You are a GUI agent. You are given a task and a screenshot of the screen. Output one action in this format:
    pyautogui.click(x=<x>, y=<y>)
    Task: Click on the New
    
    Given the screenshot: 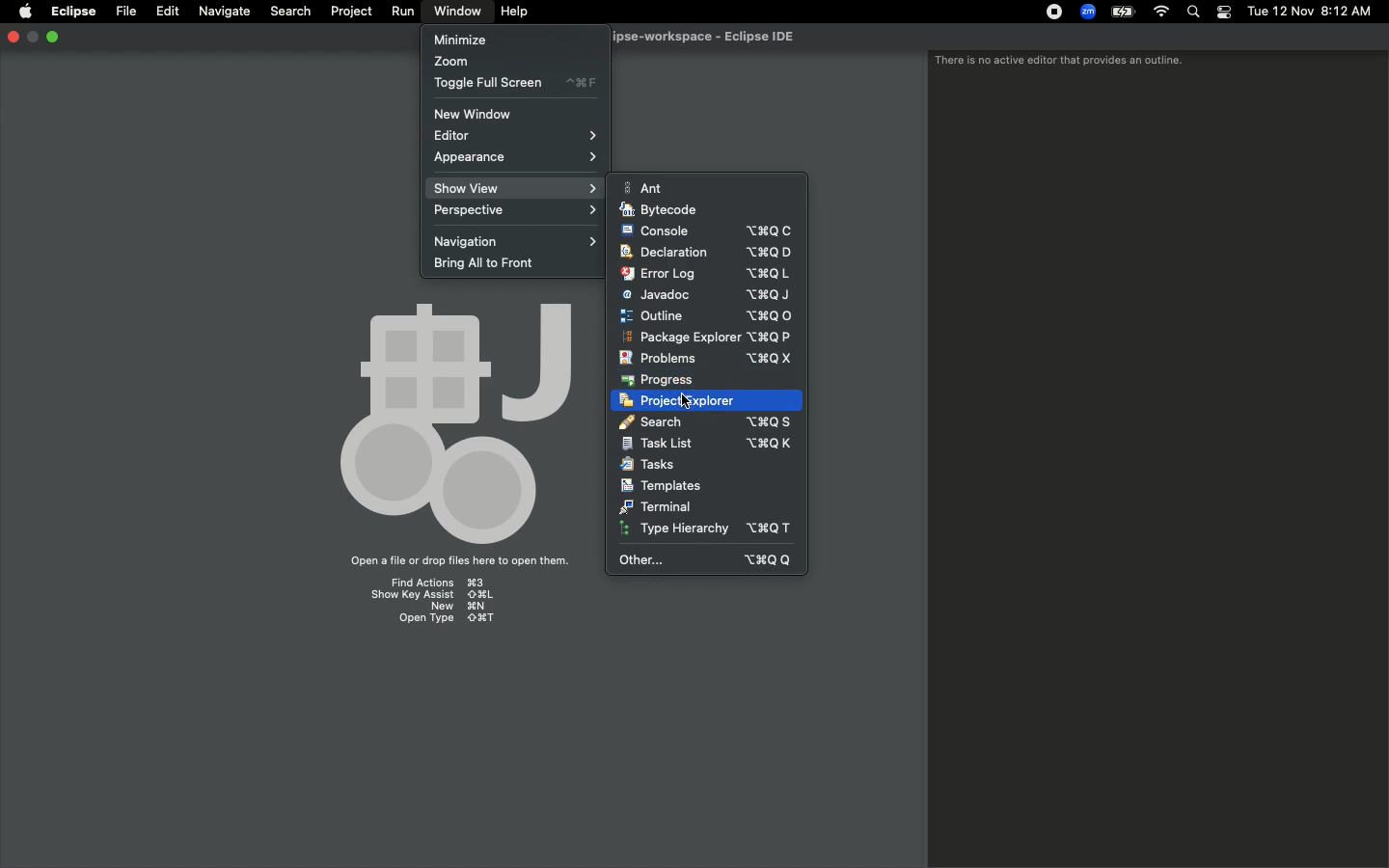 What is the action you would take?
    pyautogui.click(x=446, y=608)
    